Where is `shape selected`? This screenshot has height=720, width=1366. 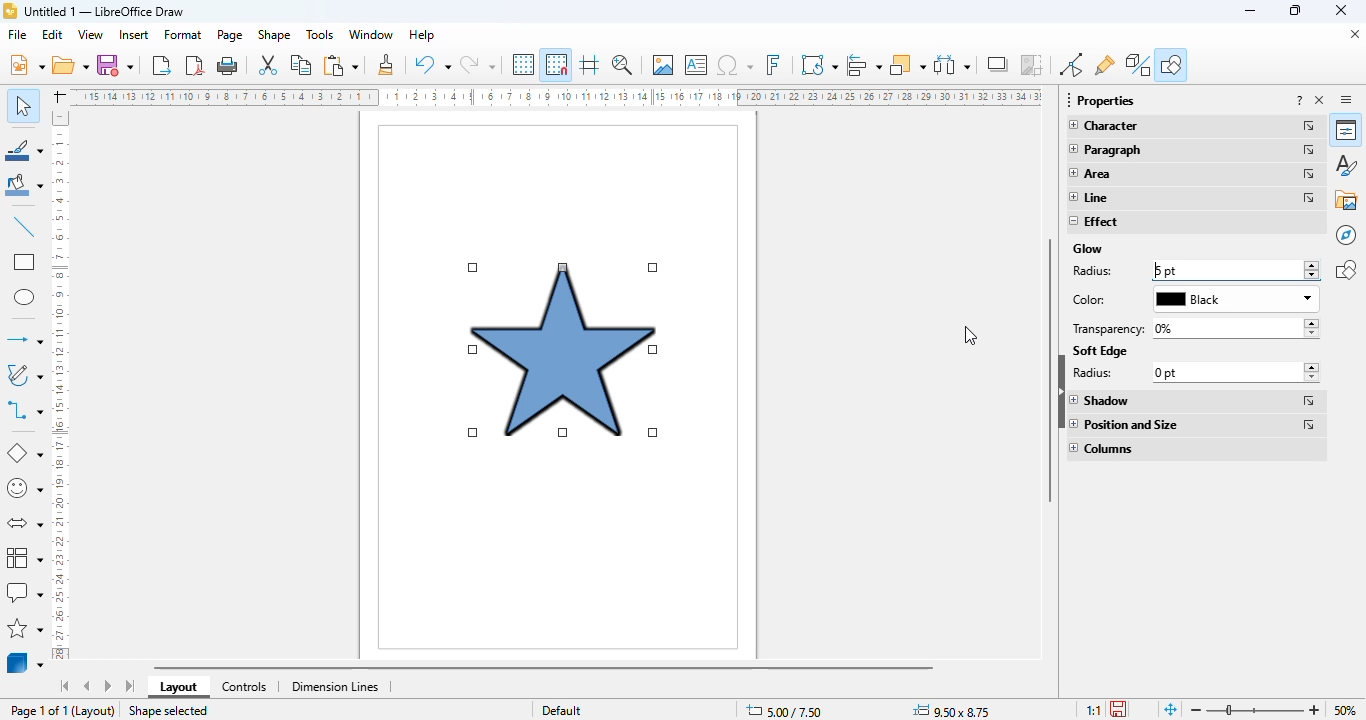
shape selected is located at coordinates (169, 710).